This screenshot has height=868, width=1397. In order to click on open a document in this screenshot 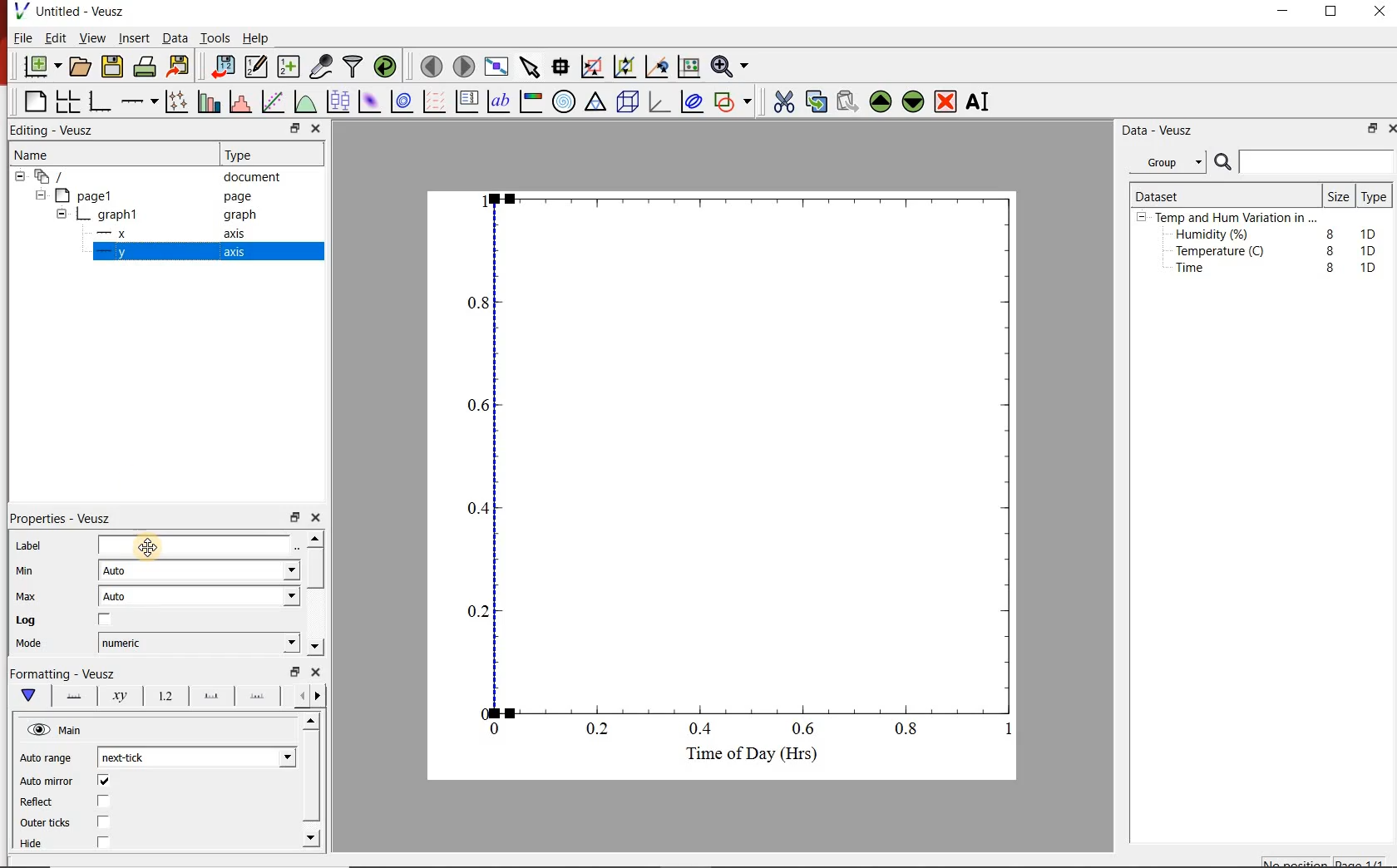, I will do `click(81, 67)`.